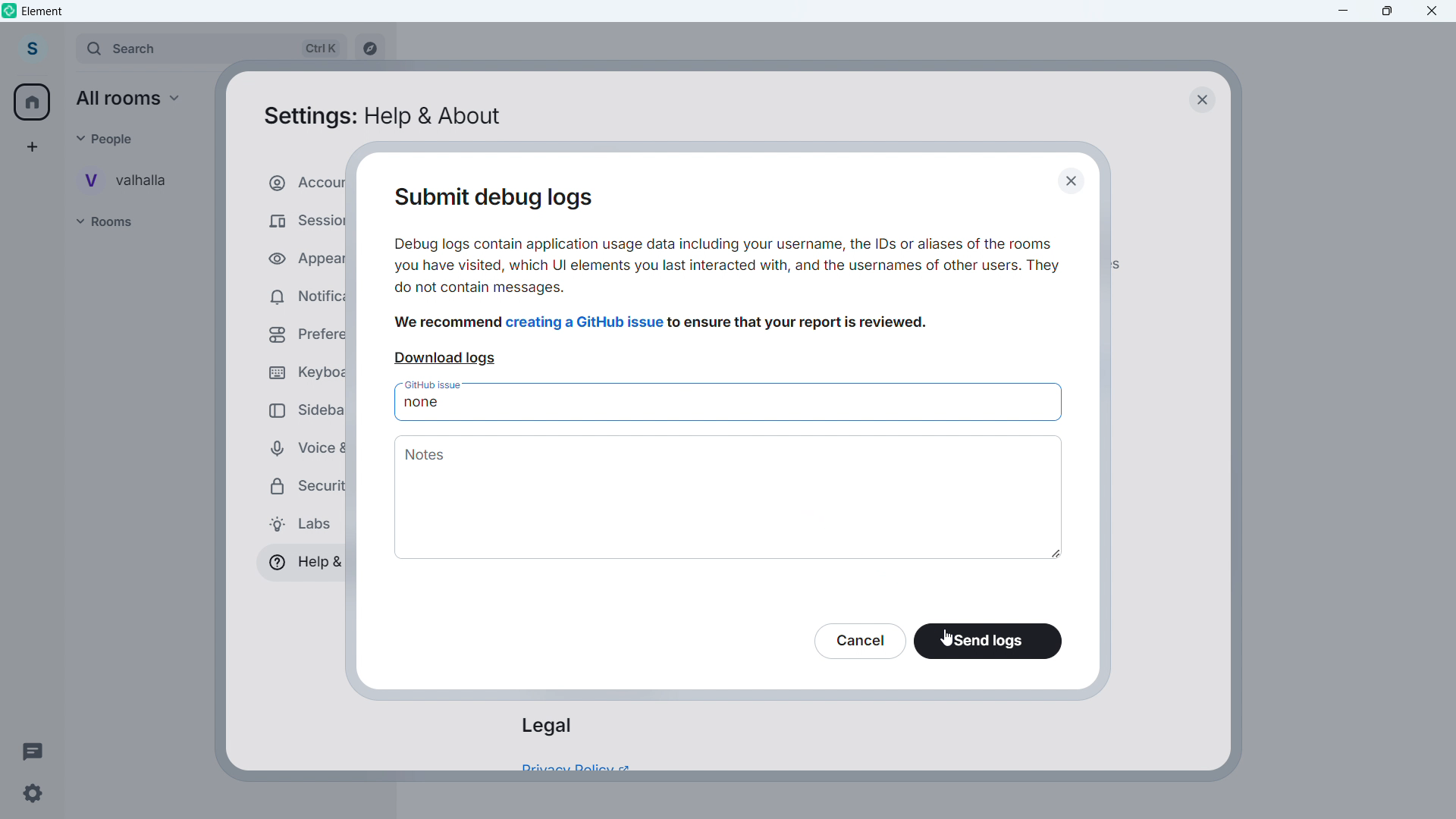 This screenshot has width=1456, height=819. I want to click on search , so click(209, 49).